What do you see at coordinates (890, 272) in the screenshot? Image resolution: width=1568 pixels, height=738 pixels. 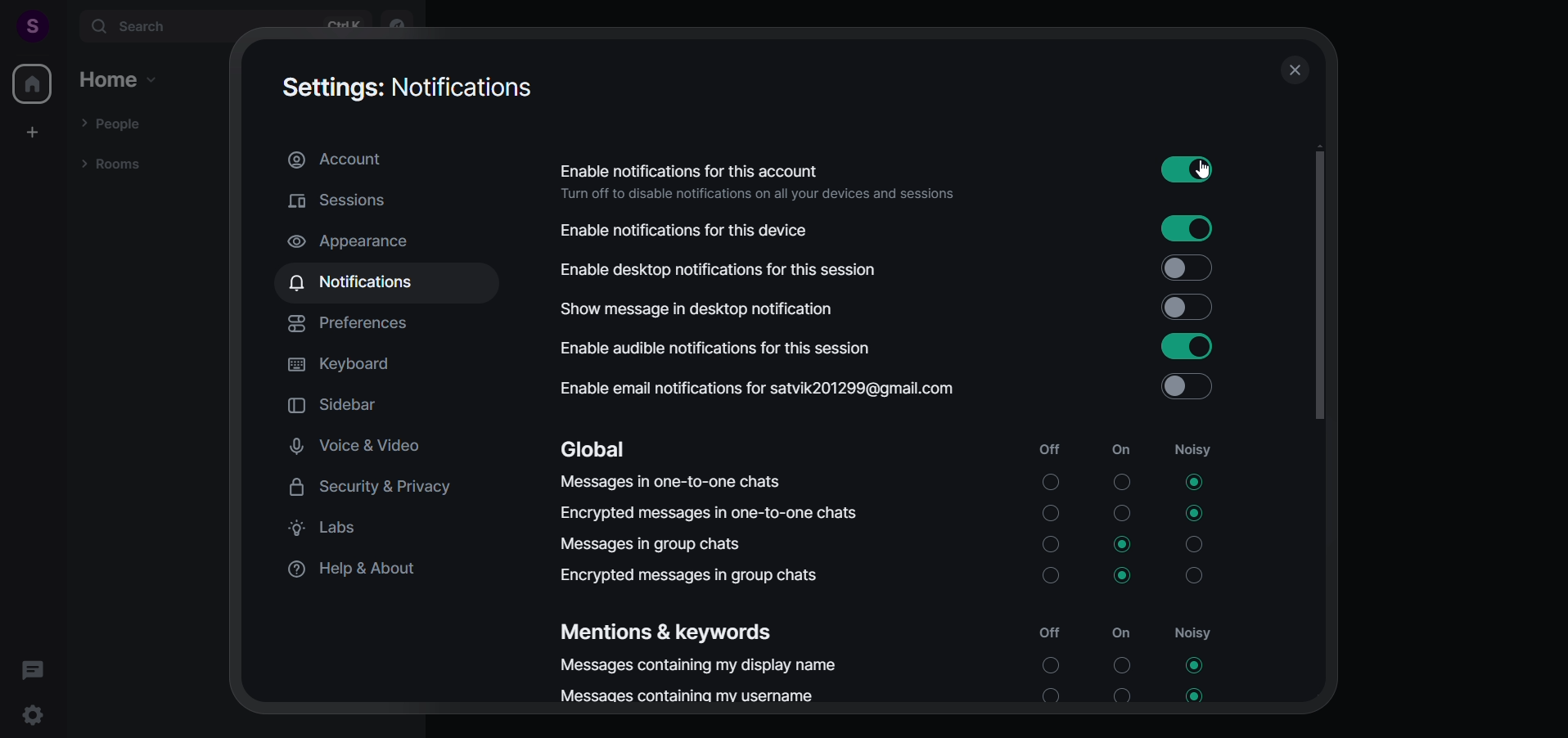 I see `enable desktop notification` at bounding box center [890, 272].